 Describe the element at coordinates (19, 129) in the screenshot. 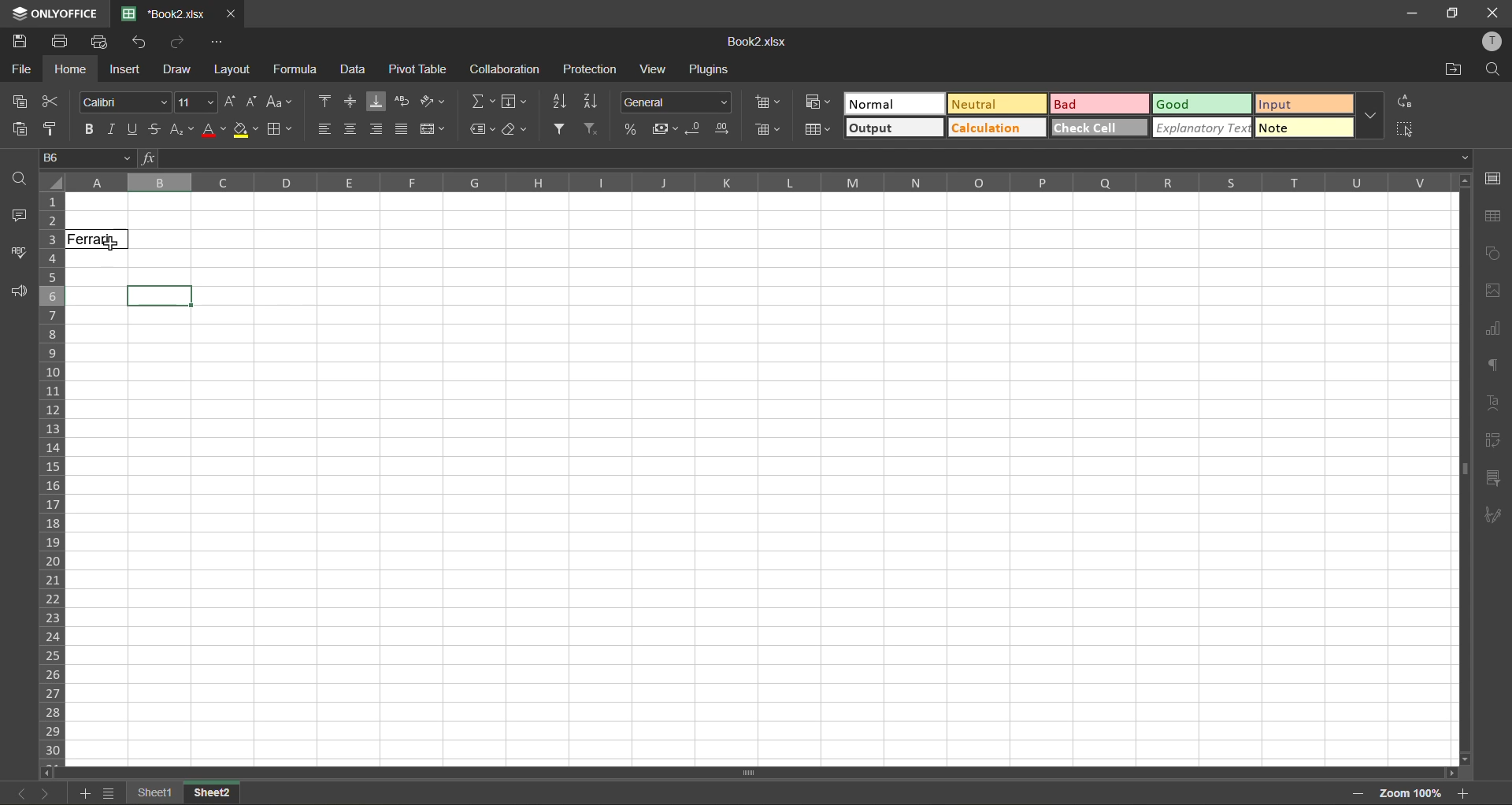

I see `paste` at that location.